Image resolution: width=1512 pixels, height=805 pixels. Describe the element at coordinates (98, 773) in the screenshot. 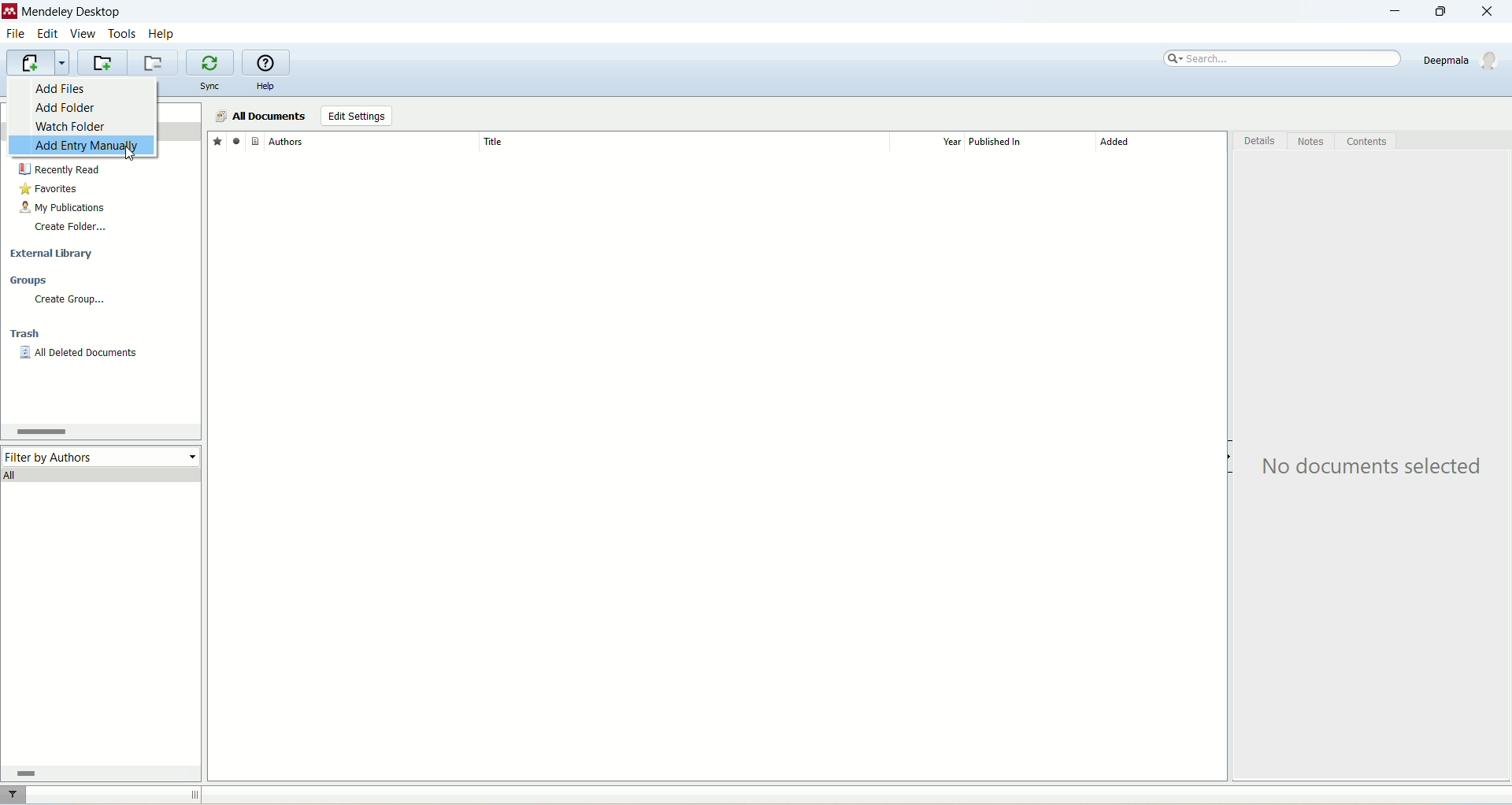

I see `horizontal scroll bar` at that location.